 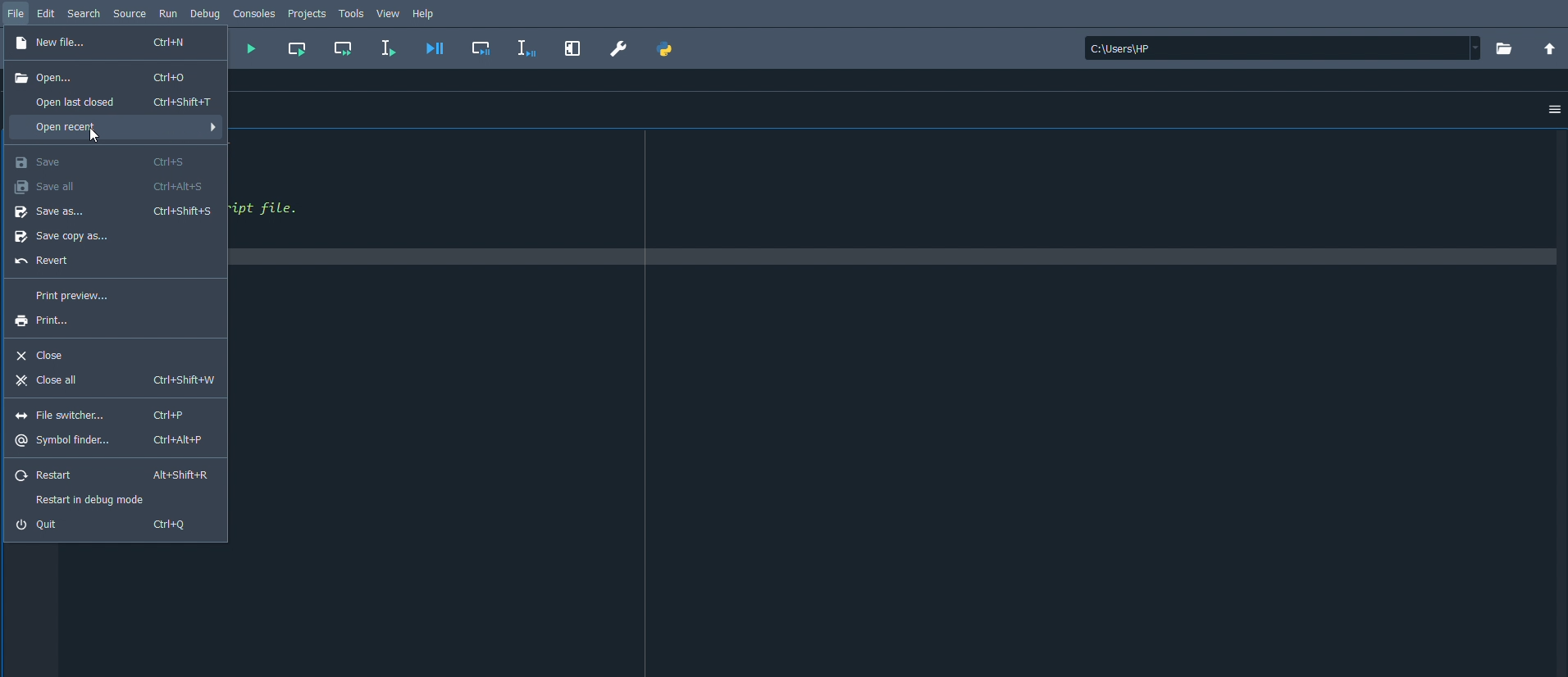 I want to click on Debug, so click(x=205, y=14).